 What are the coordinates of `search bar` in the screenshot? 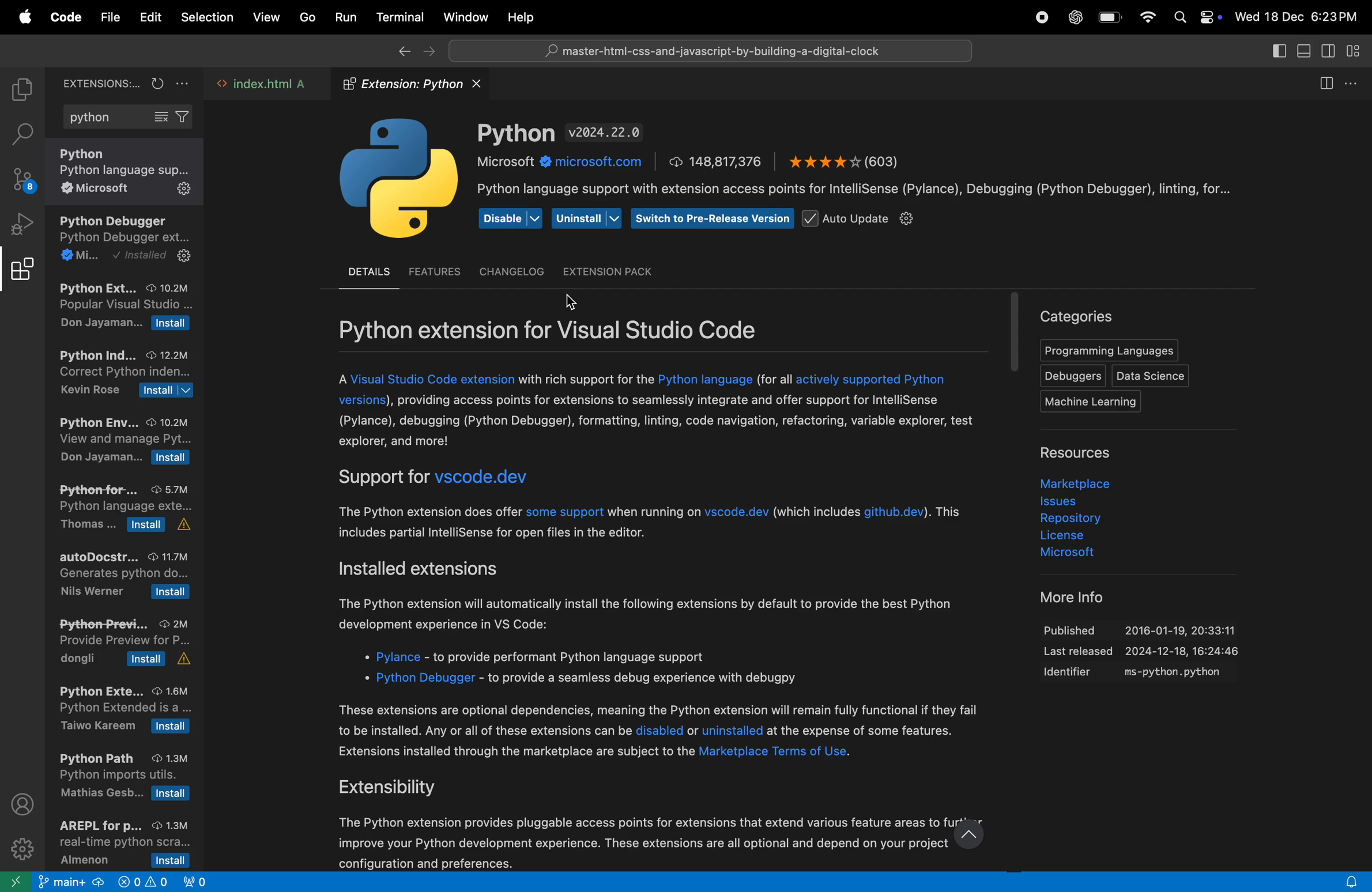 It's located at (707, 50).